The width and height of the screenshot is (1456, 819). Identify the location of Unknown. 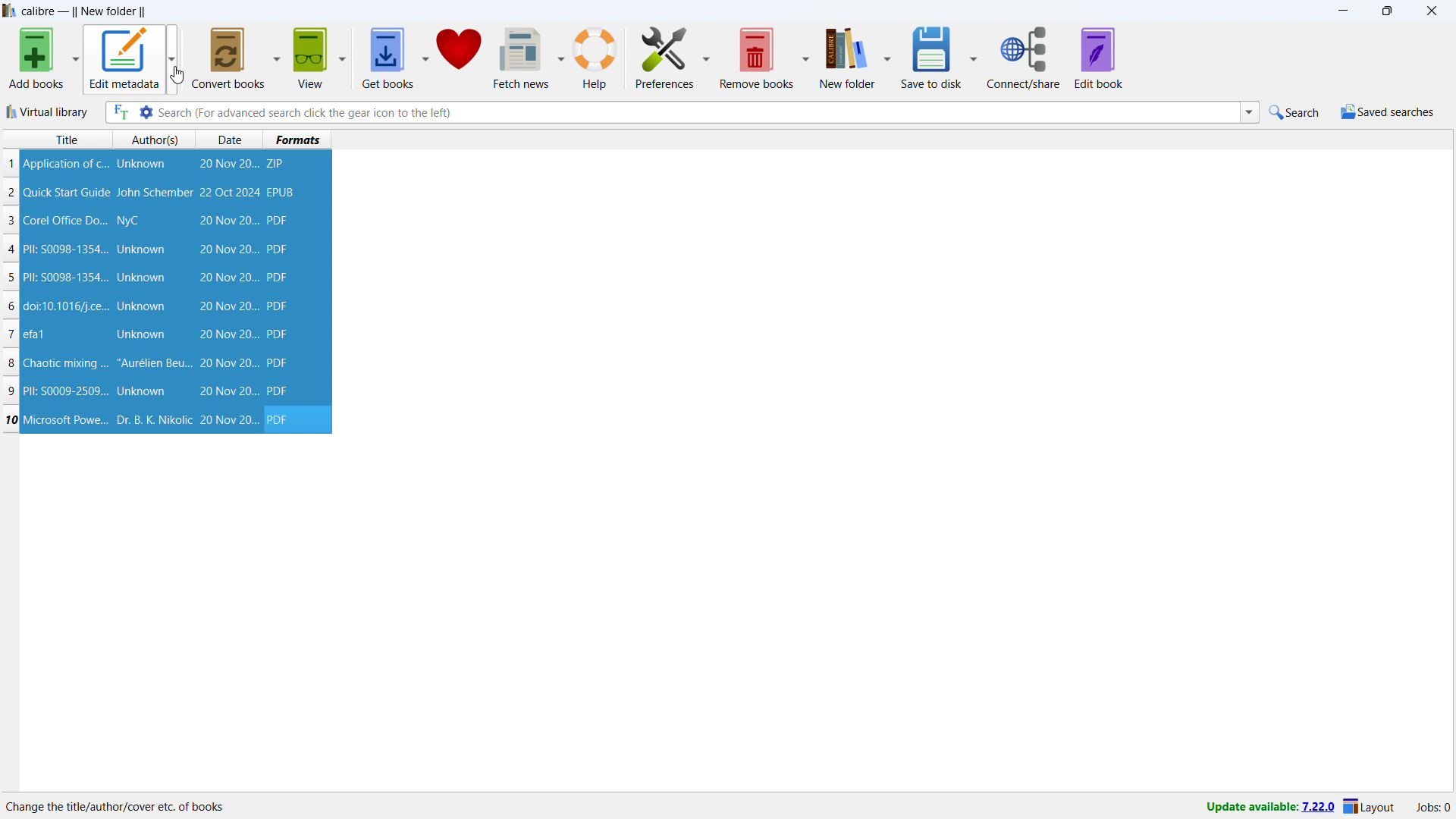
(143, 306).